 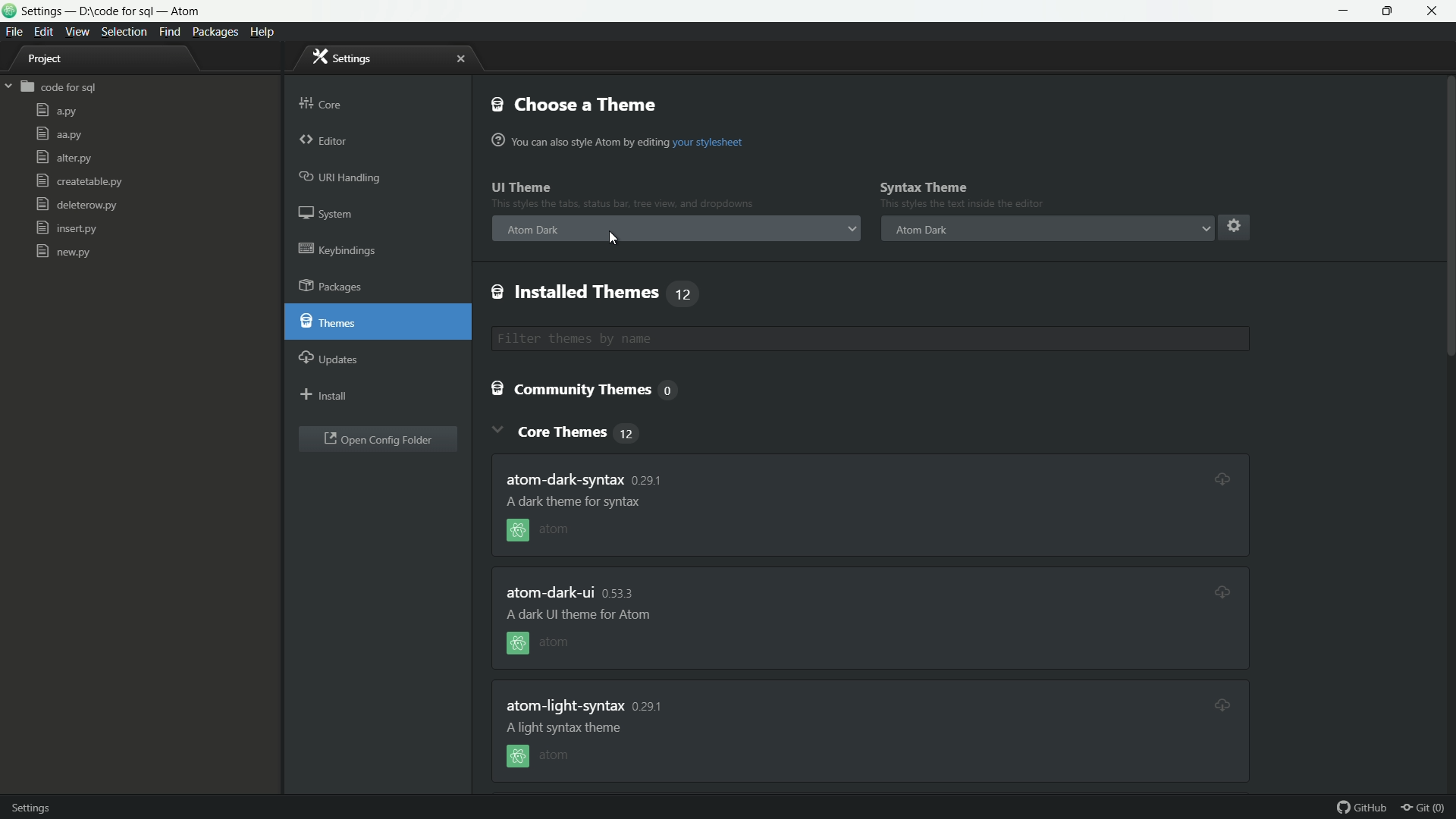 I want to click on logo, so click(x=9, y=13).